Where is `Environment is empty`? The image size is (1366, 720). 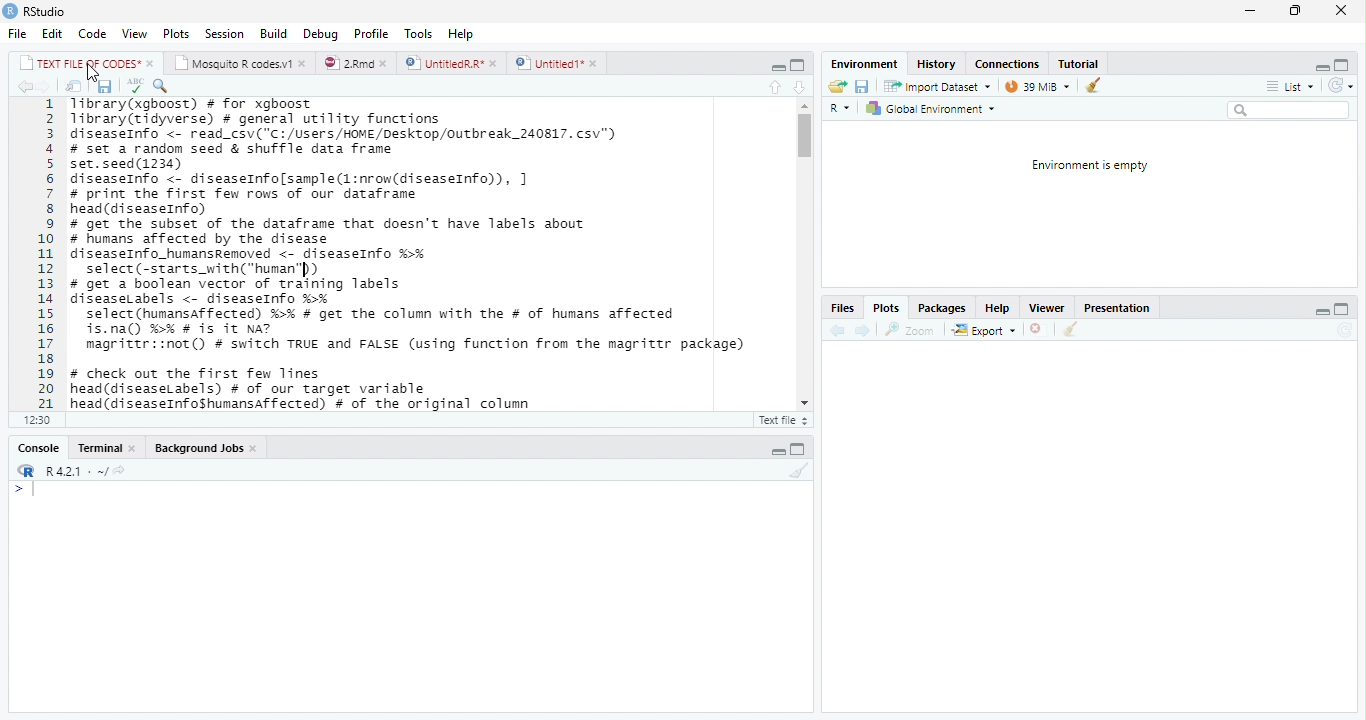
Environment is empty is located at coordinates (1091, 165).